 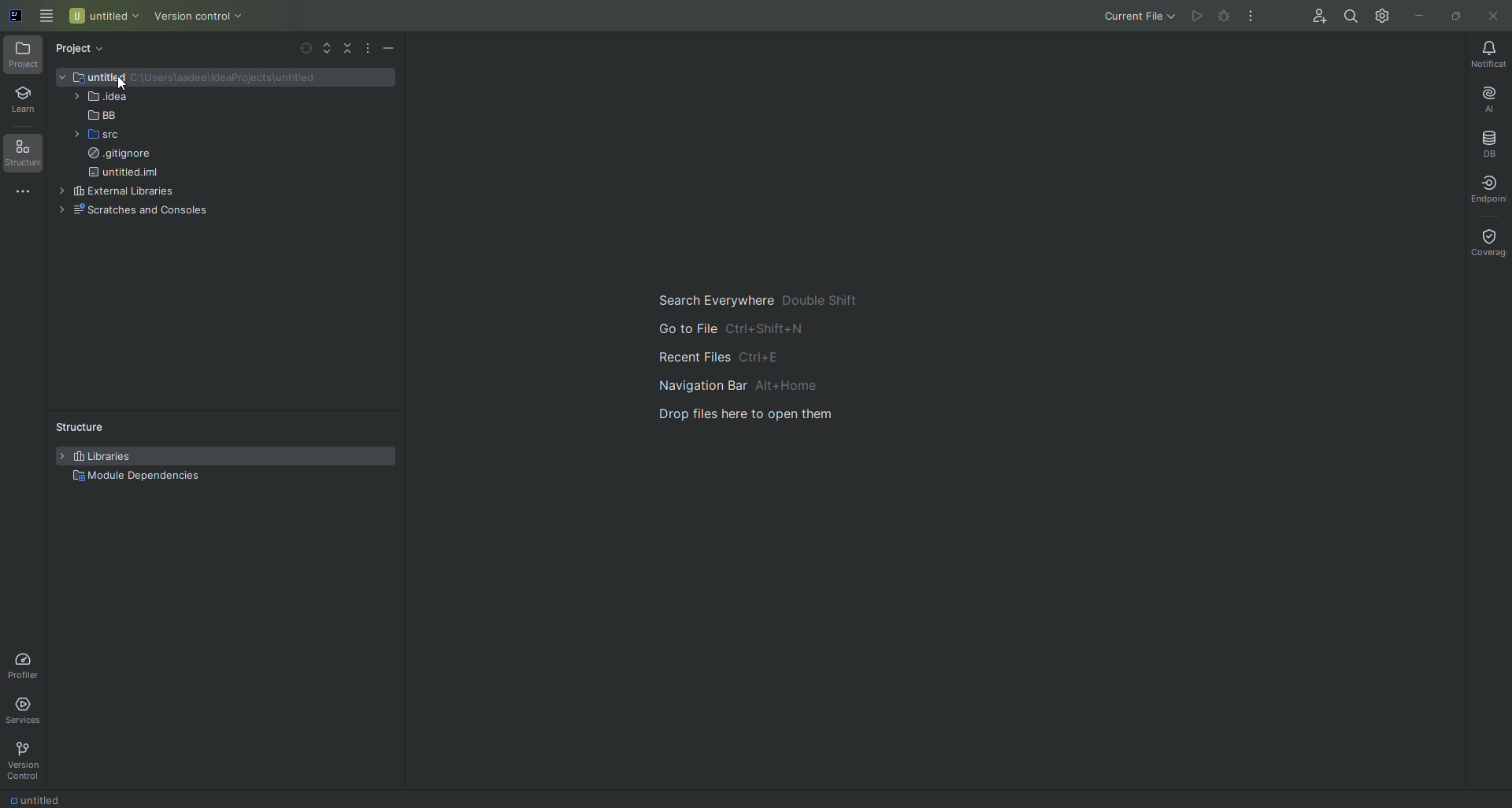 I want to click on Project, so click(x=83, y=50).